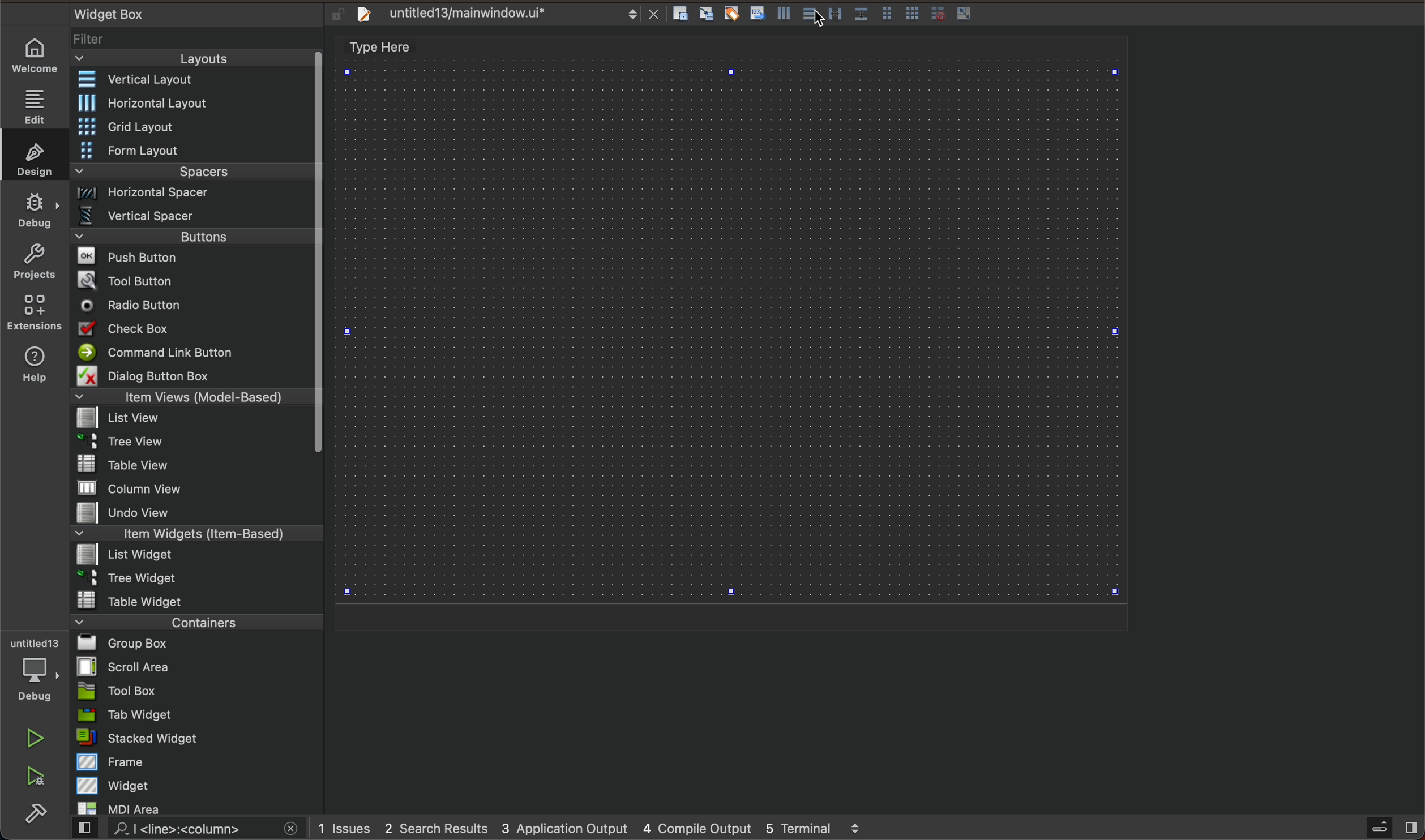  I want to click on list view, so click(191, 419).